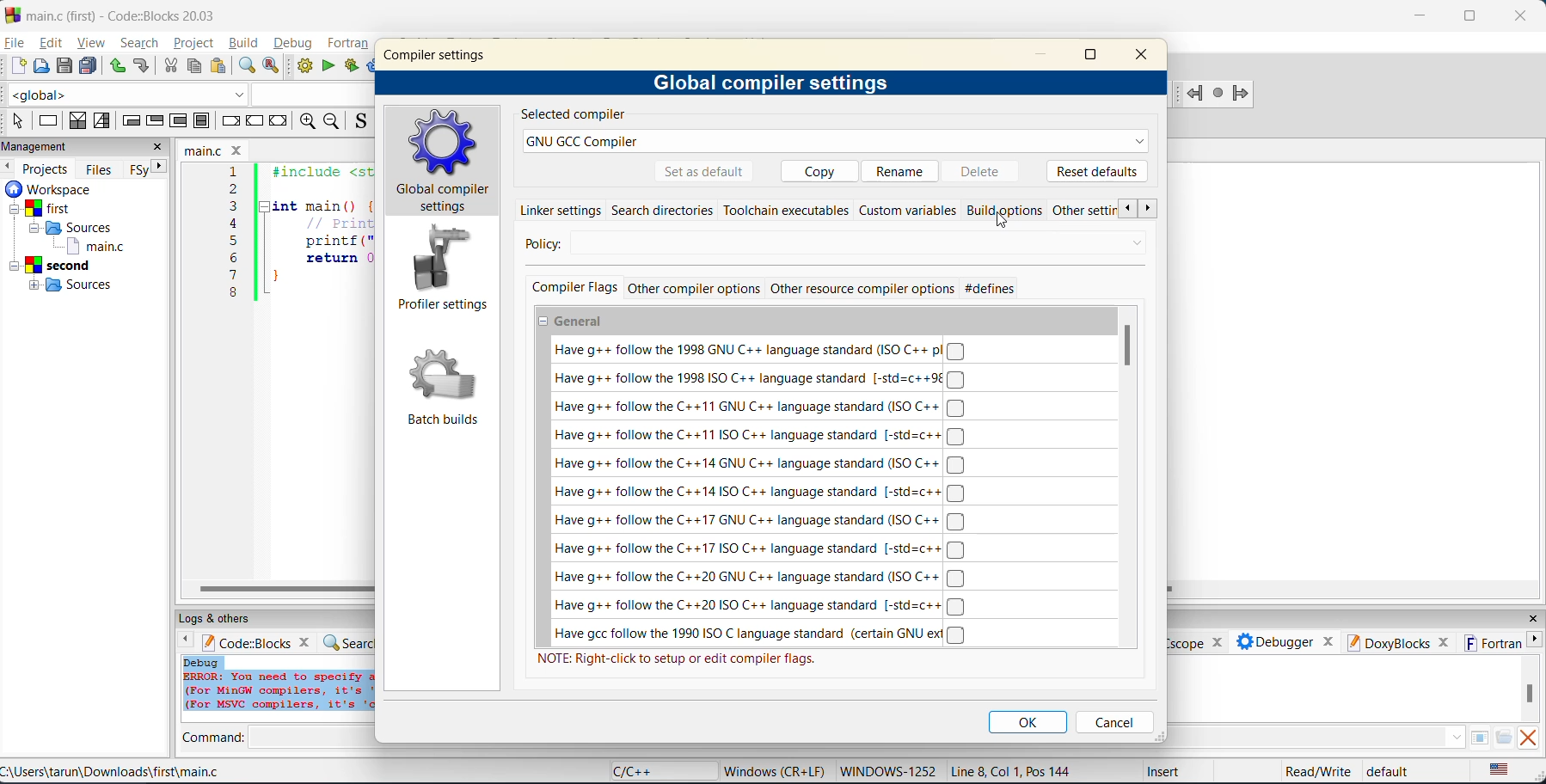 Image resolution: width=1546 pixels, height=784 pixels. I want to click on rename, so click(902, 169).